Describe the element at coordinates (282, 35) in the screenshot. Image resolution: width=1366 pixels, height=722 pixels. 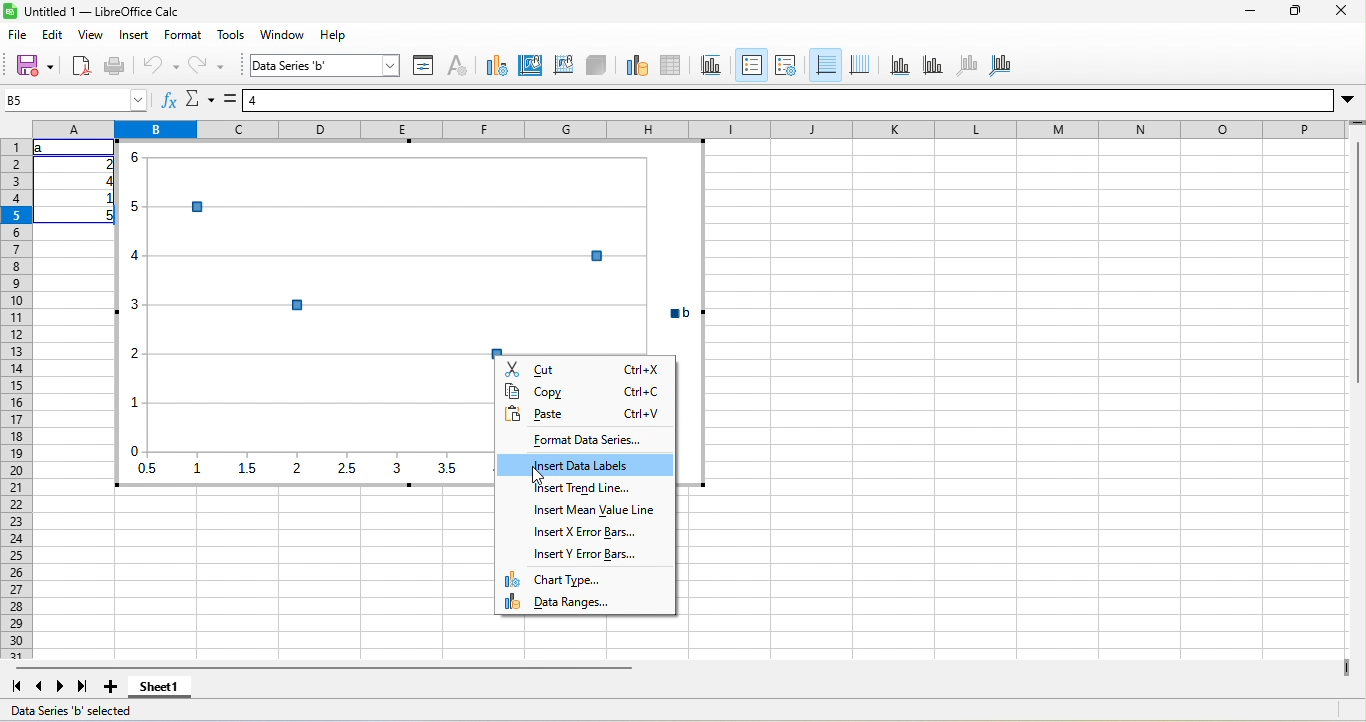
I see `window` at that location.